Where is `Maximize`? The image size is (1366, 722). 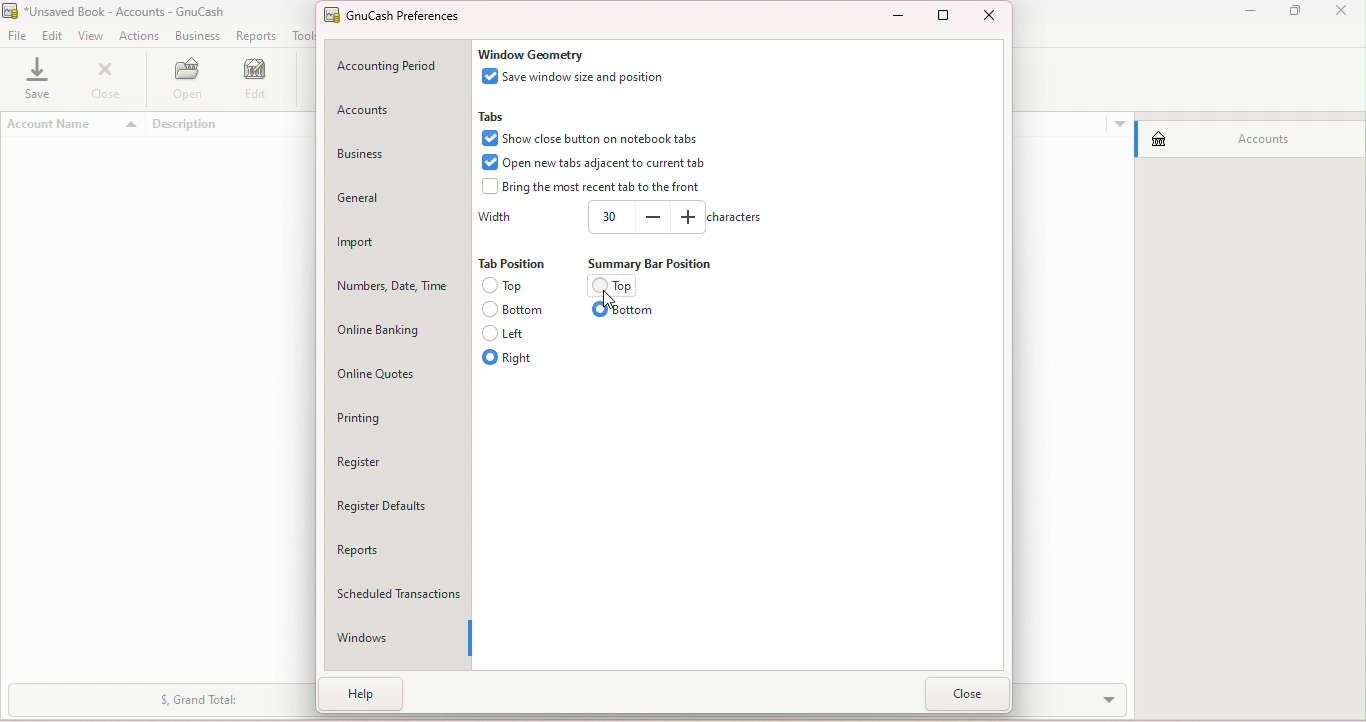
Maximize is located at coordinates (1302, 14).